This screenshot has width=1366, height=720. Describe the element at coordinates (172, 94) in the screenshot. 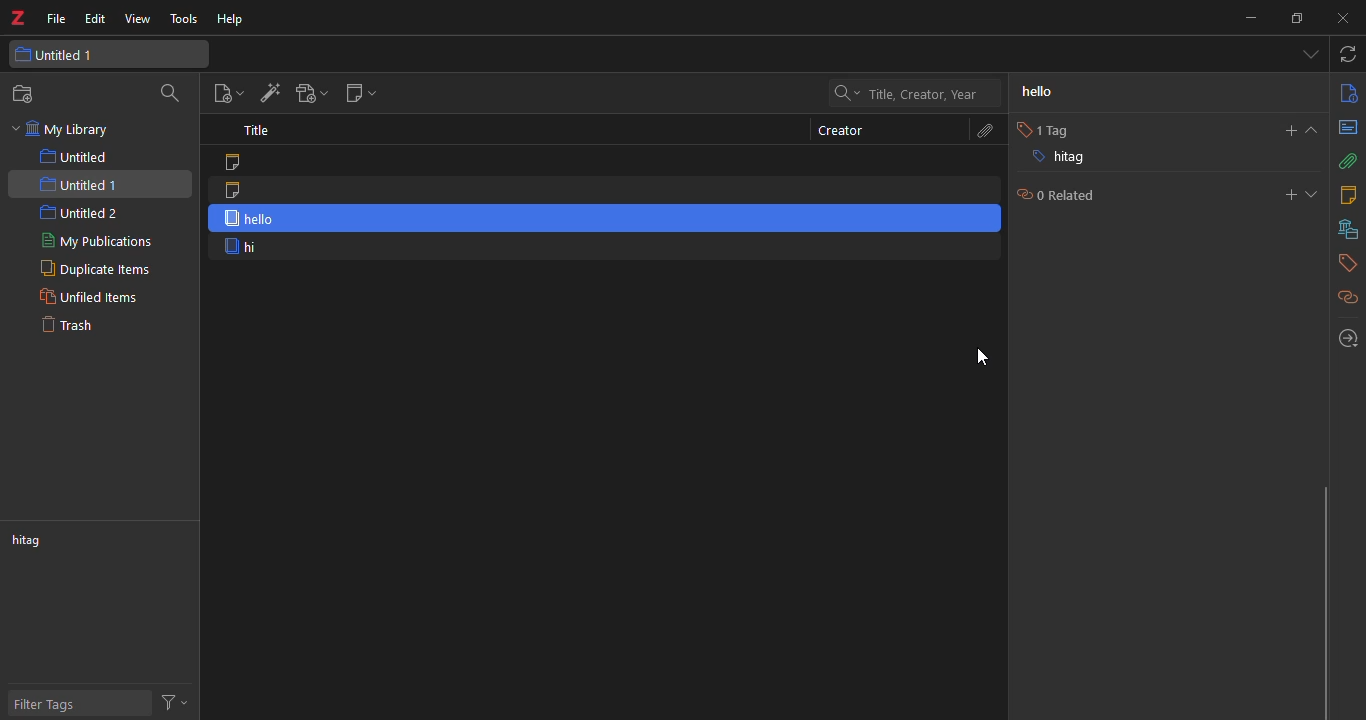

I see `search` at that location.